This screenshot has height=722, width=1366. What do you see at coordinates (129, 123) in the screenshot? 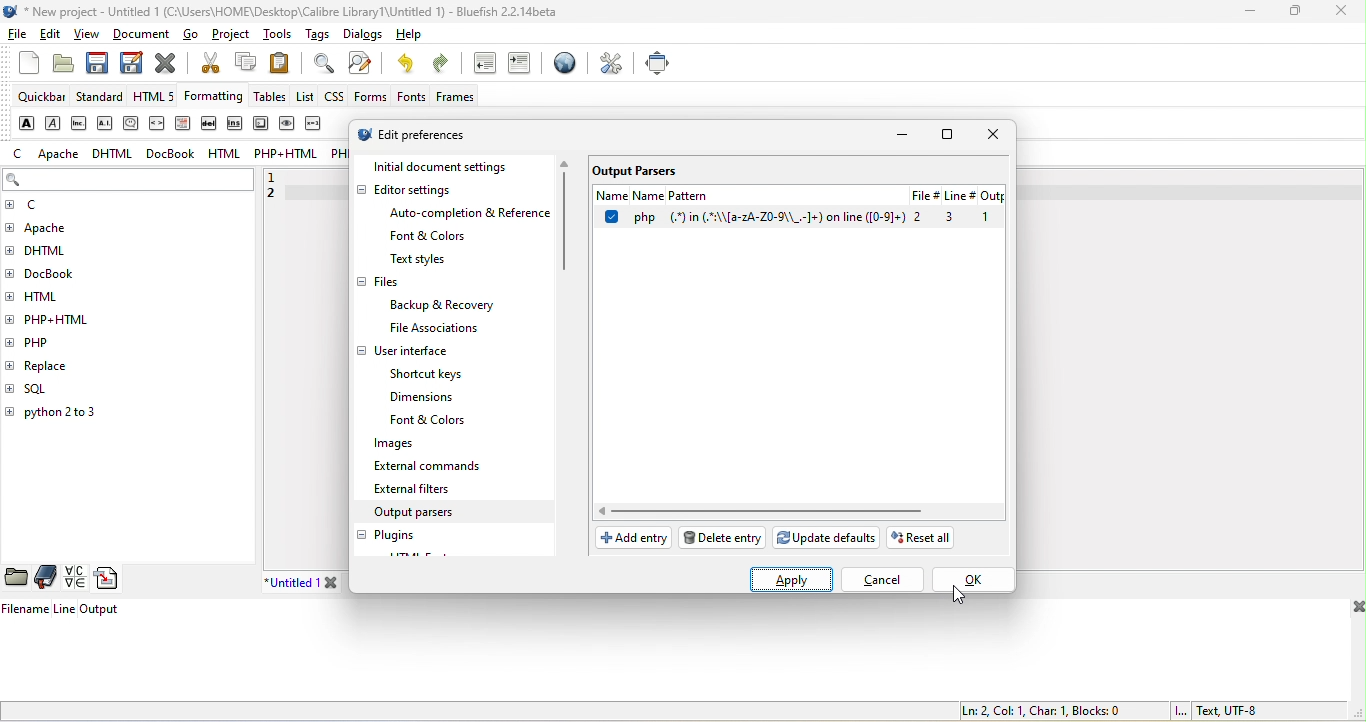
I see `citation` at bounding box center [129, 123].